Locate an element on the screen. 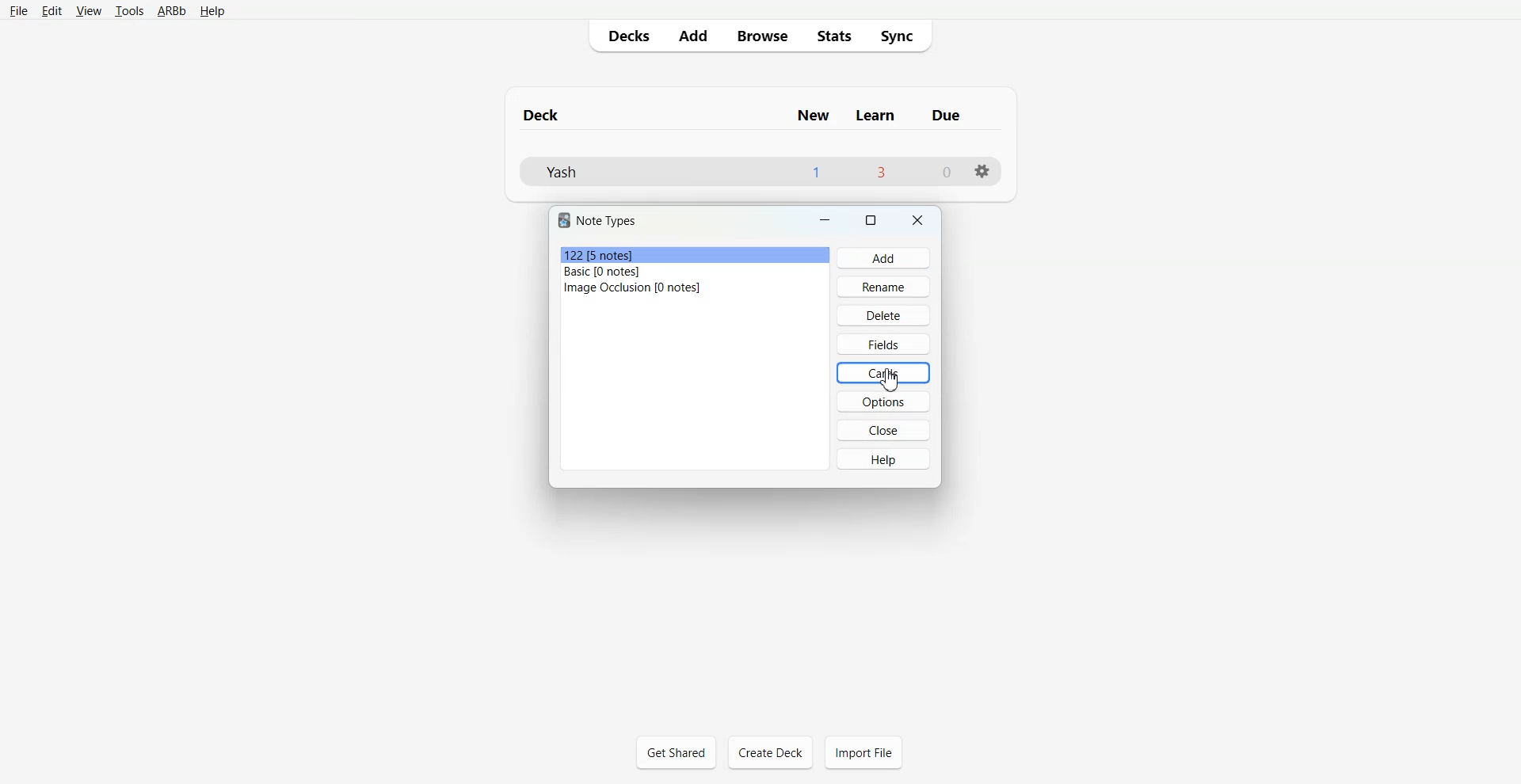  Fields is located at coordinates (883, 343).